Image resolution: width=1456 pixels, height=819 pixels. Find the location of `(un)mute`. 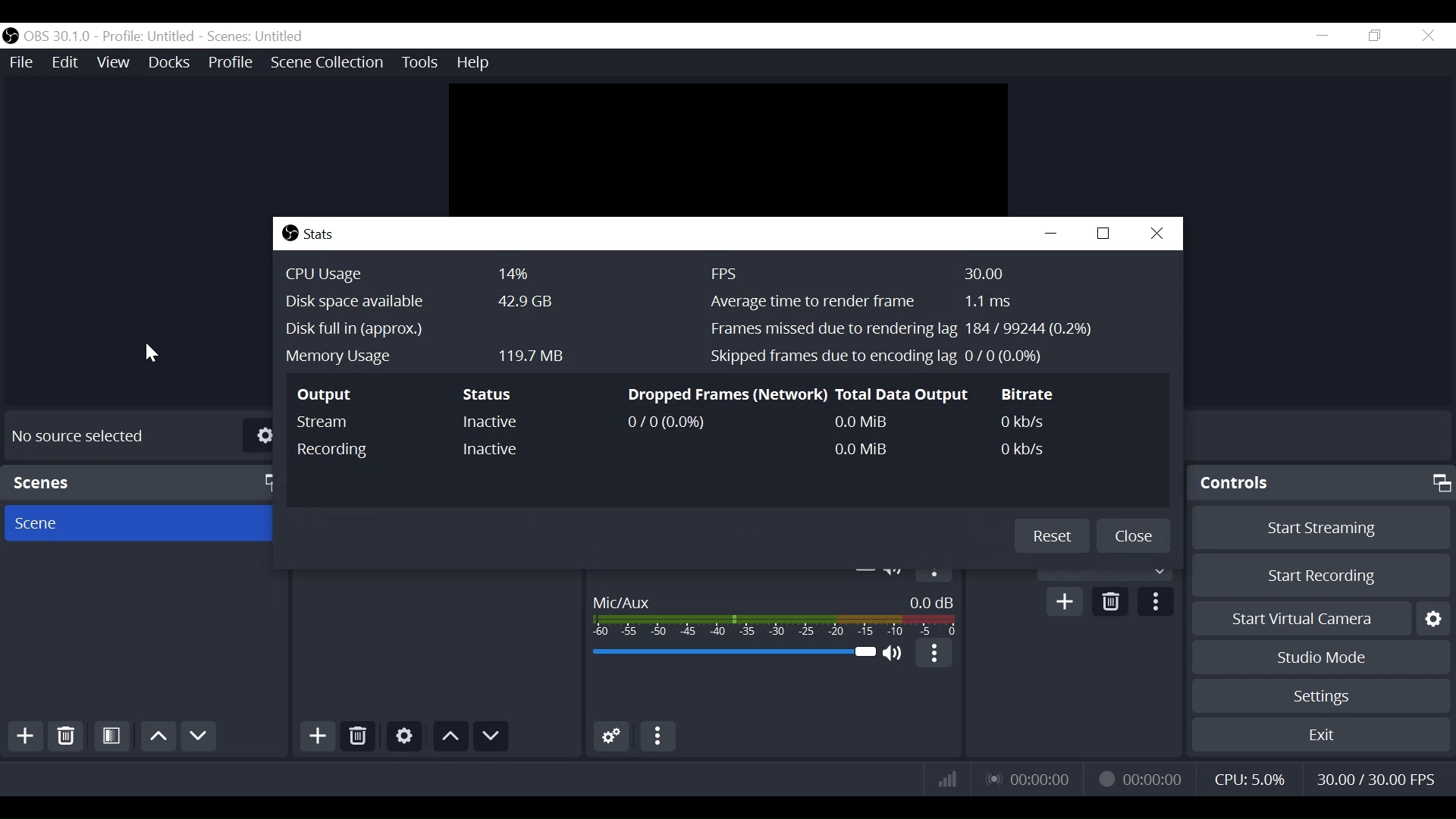

(un)mute is located at coordinates (894, 657).